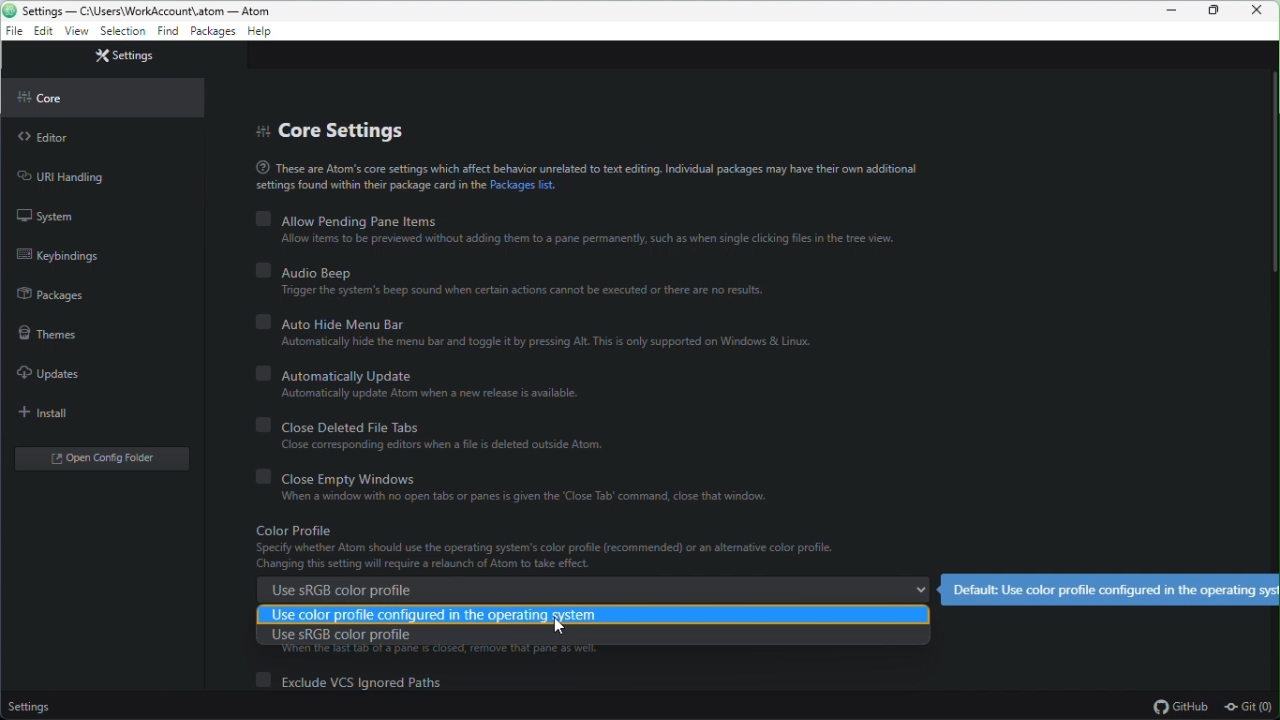 The image size is (1280, 720). Describe the element at coordinates (559, 627) in the screenshot. I see `cursor` at that location.